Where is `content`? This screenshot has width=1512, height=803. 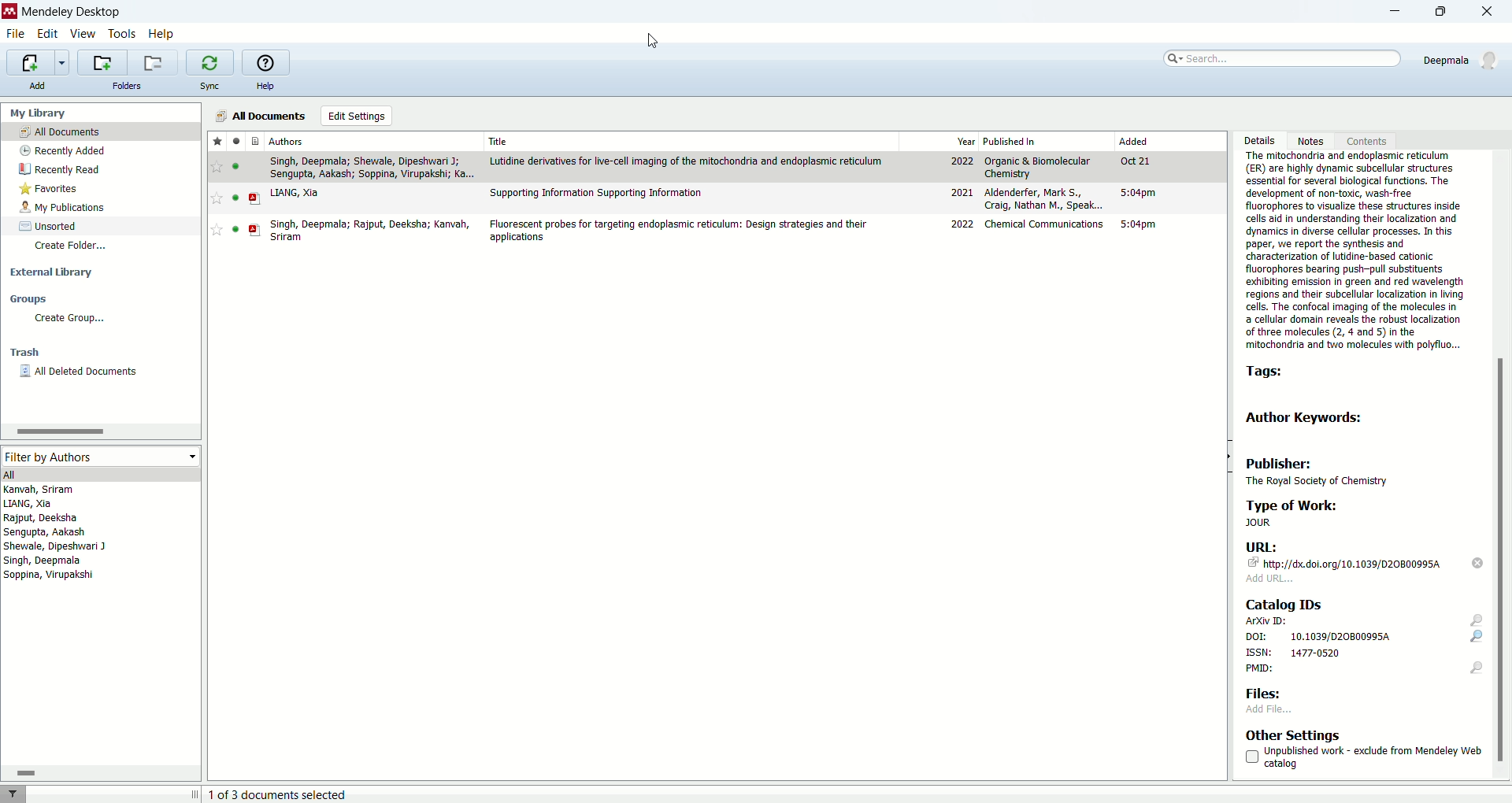
content is located at coordinates (1364, 140).